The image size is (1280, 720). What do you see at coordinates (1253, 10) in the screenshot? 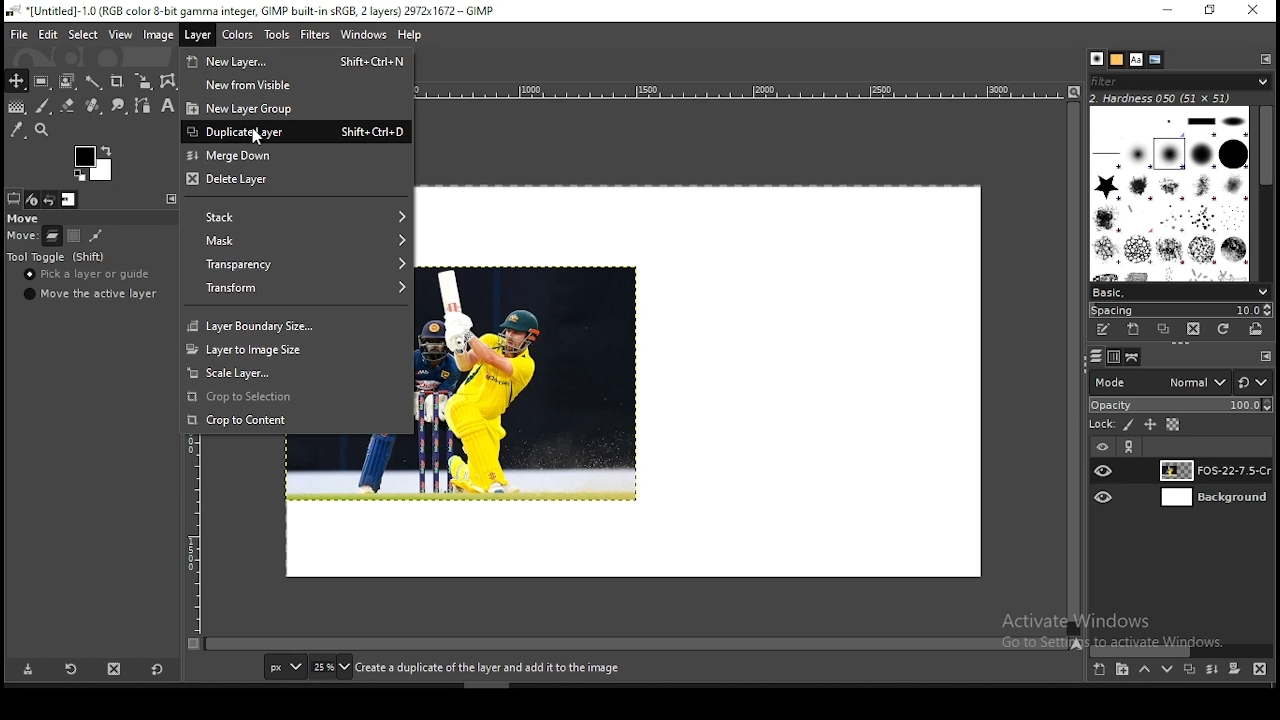
I see `close` at bounding box center [1253, 10].